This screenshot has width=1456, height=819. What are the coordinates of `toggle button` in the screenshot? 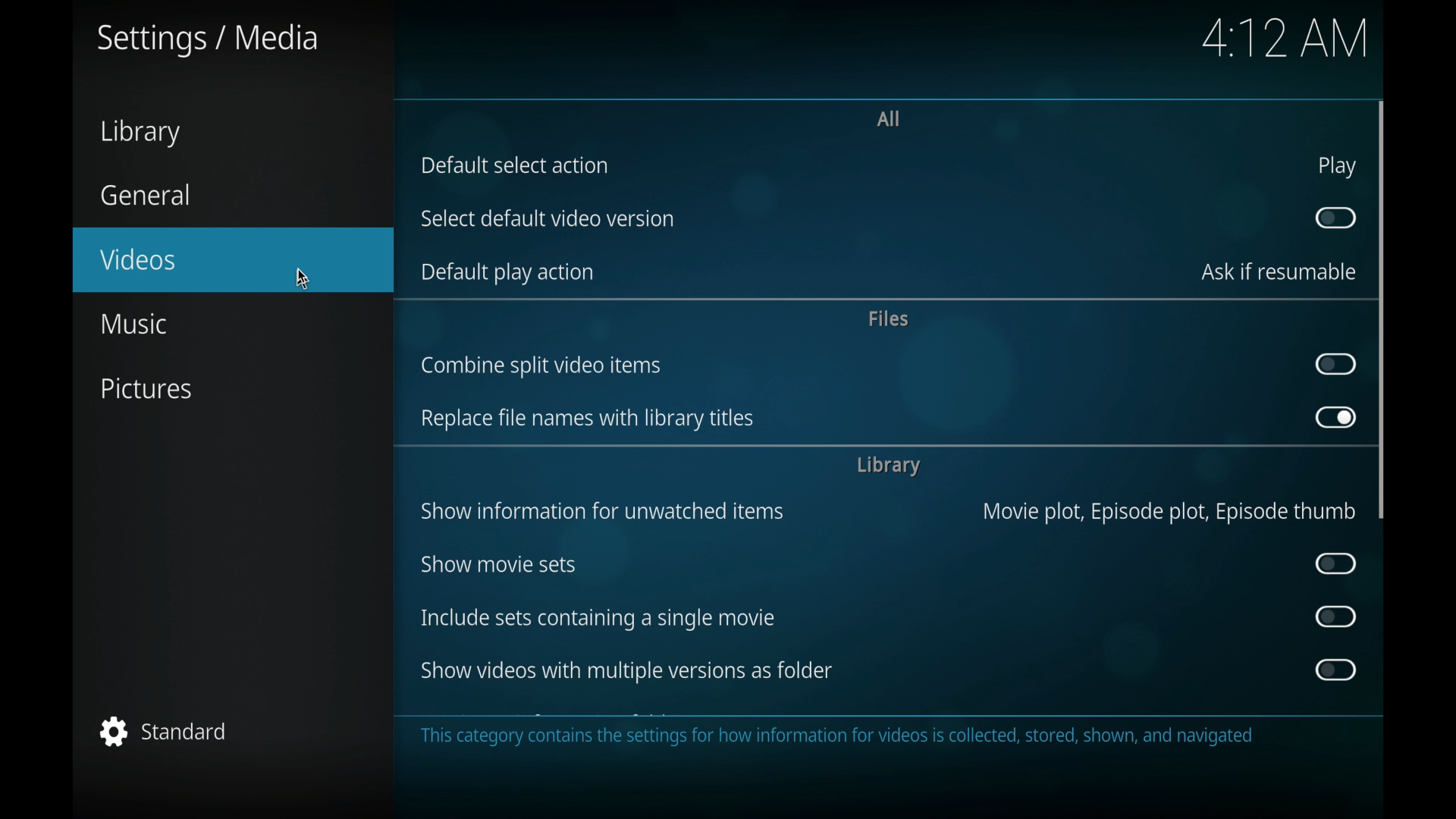 It's located at (1335, 218).